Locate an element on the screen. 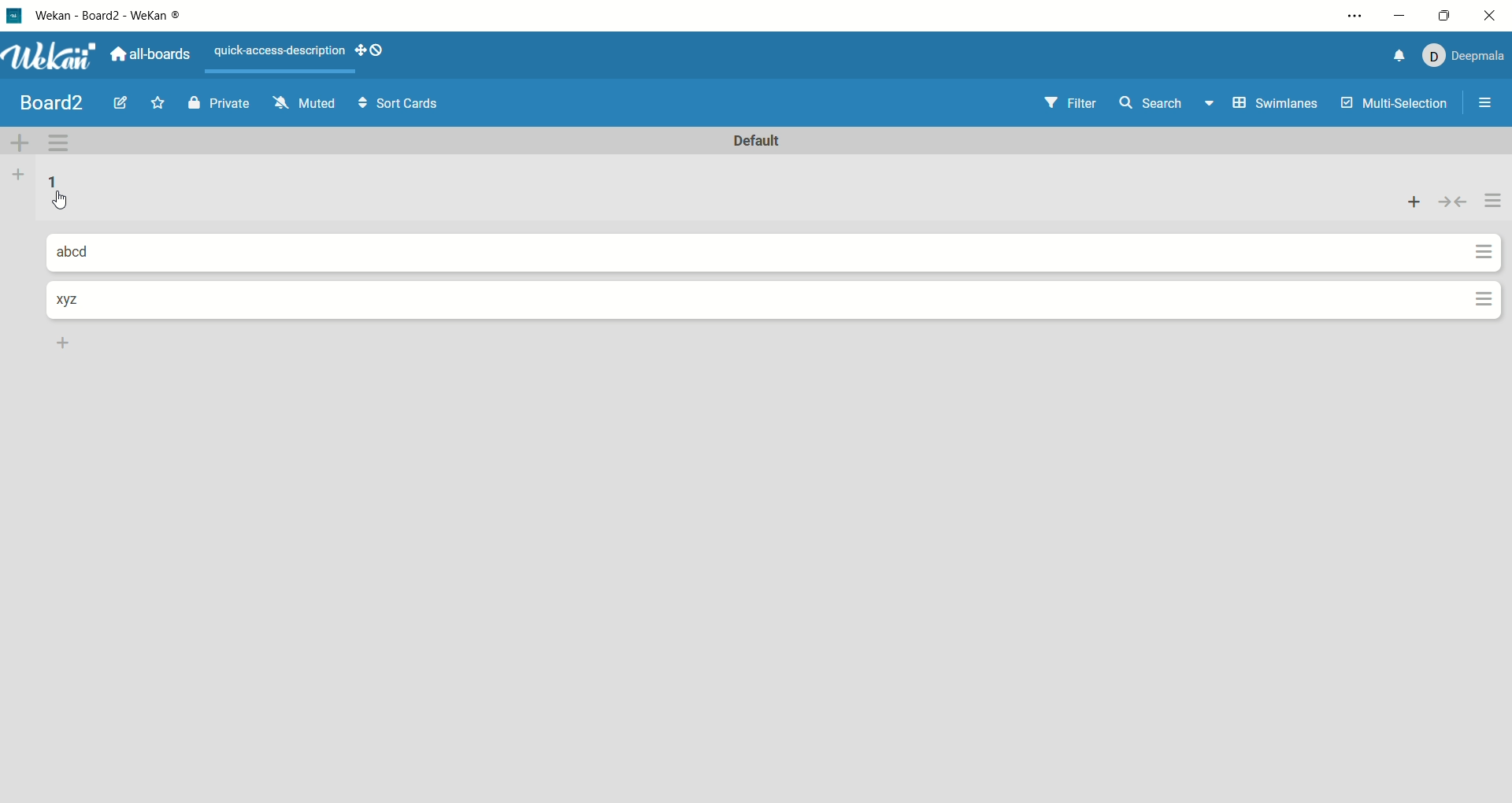 The image size is (1512, 803). notification is located at coordinates (1392, 56).